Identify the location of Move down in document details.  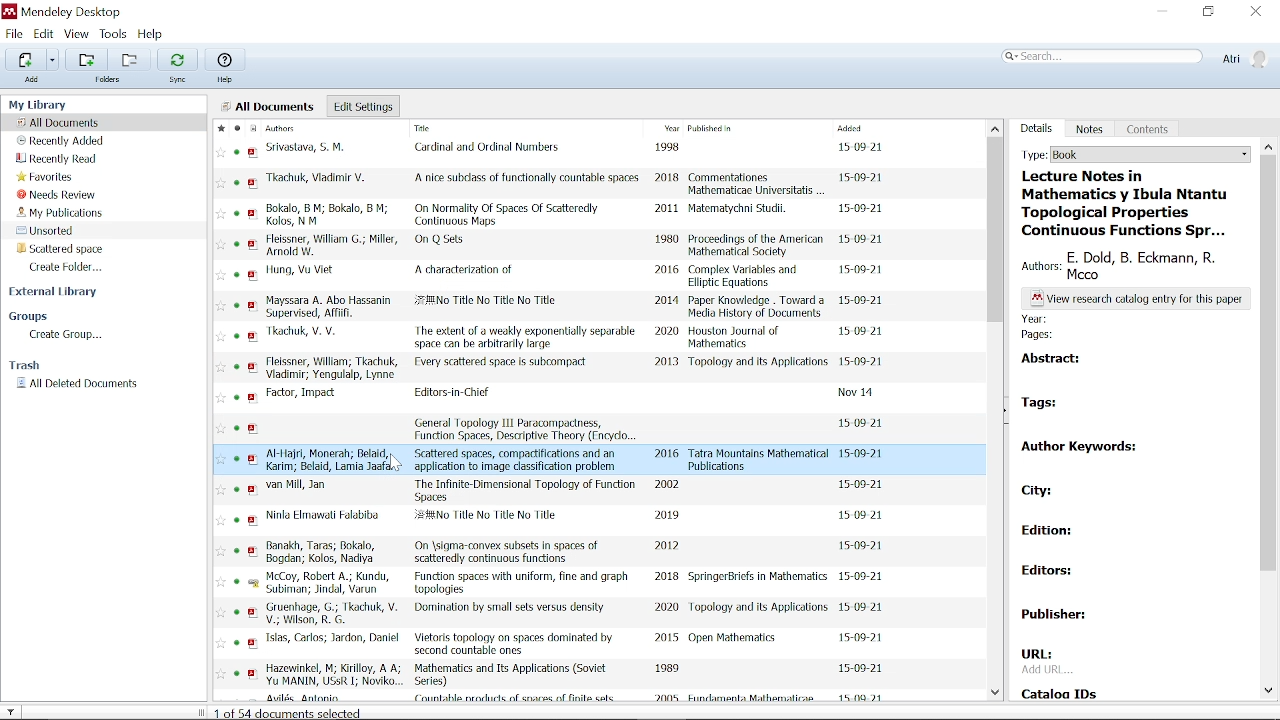
(1269, 691).